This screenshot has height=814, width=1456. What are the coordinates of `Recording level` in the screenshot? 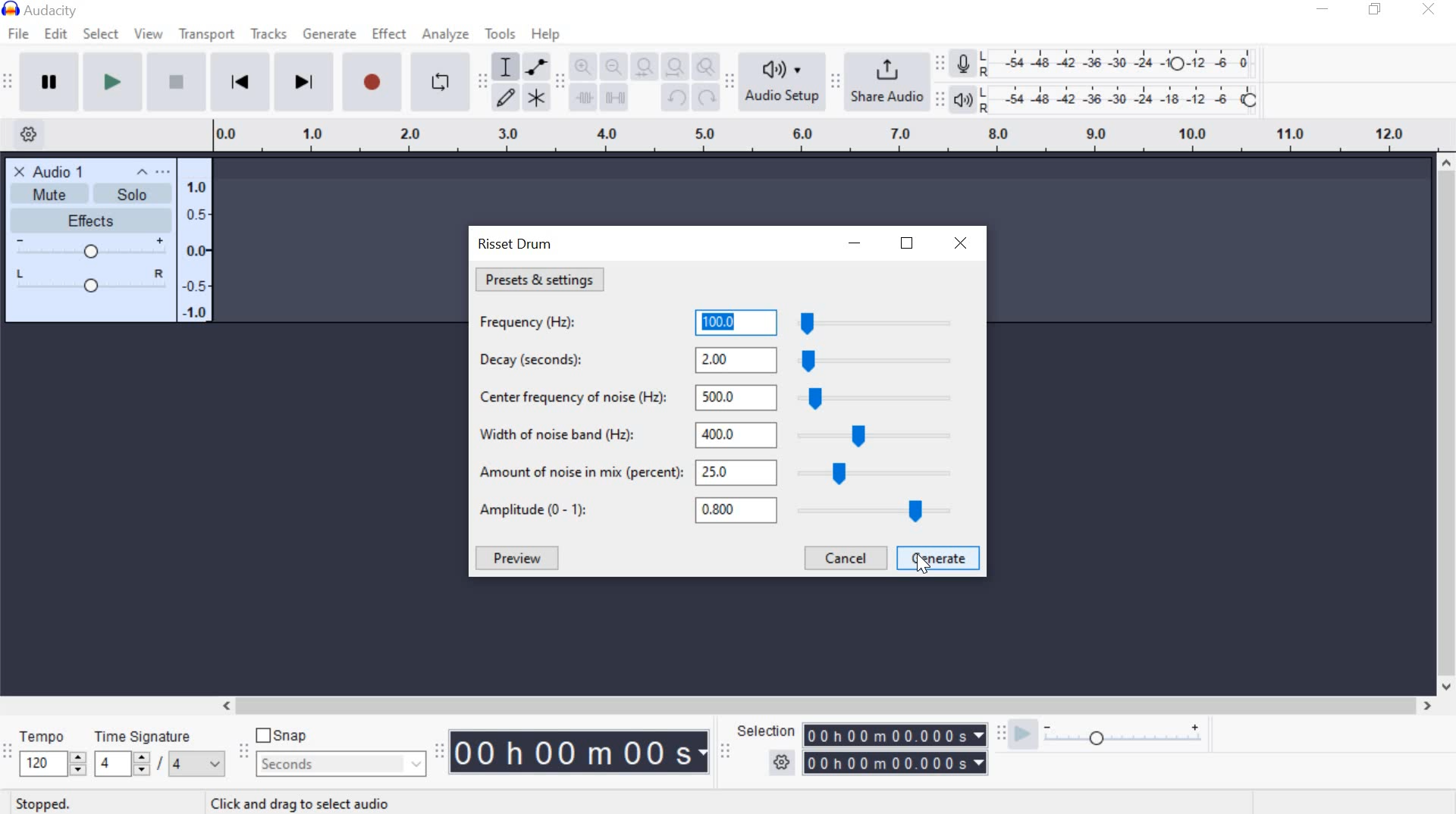 It's located at (1124, 59).